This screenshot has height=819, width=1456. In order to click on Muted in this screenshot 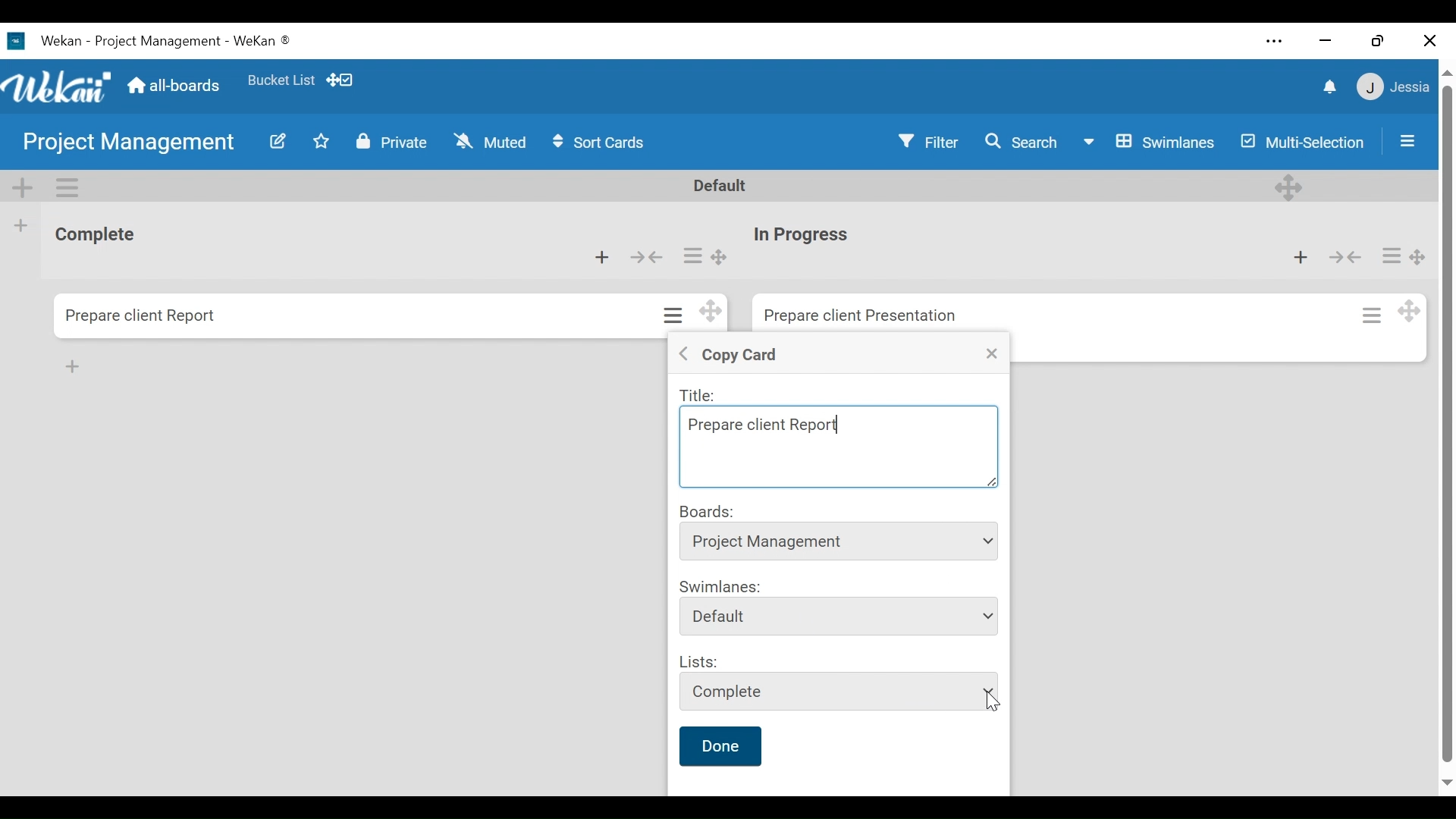, I will do `click(490, 142)`.